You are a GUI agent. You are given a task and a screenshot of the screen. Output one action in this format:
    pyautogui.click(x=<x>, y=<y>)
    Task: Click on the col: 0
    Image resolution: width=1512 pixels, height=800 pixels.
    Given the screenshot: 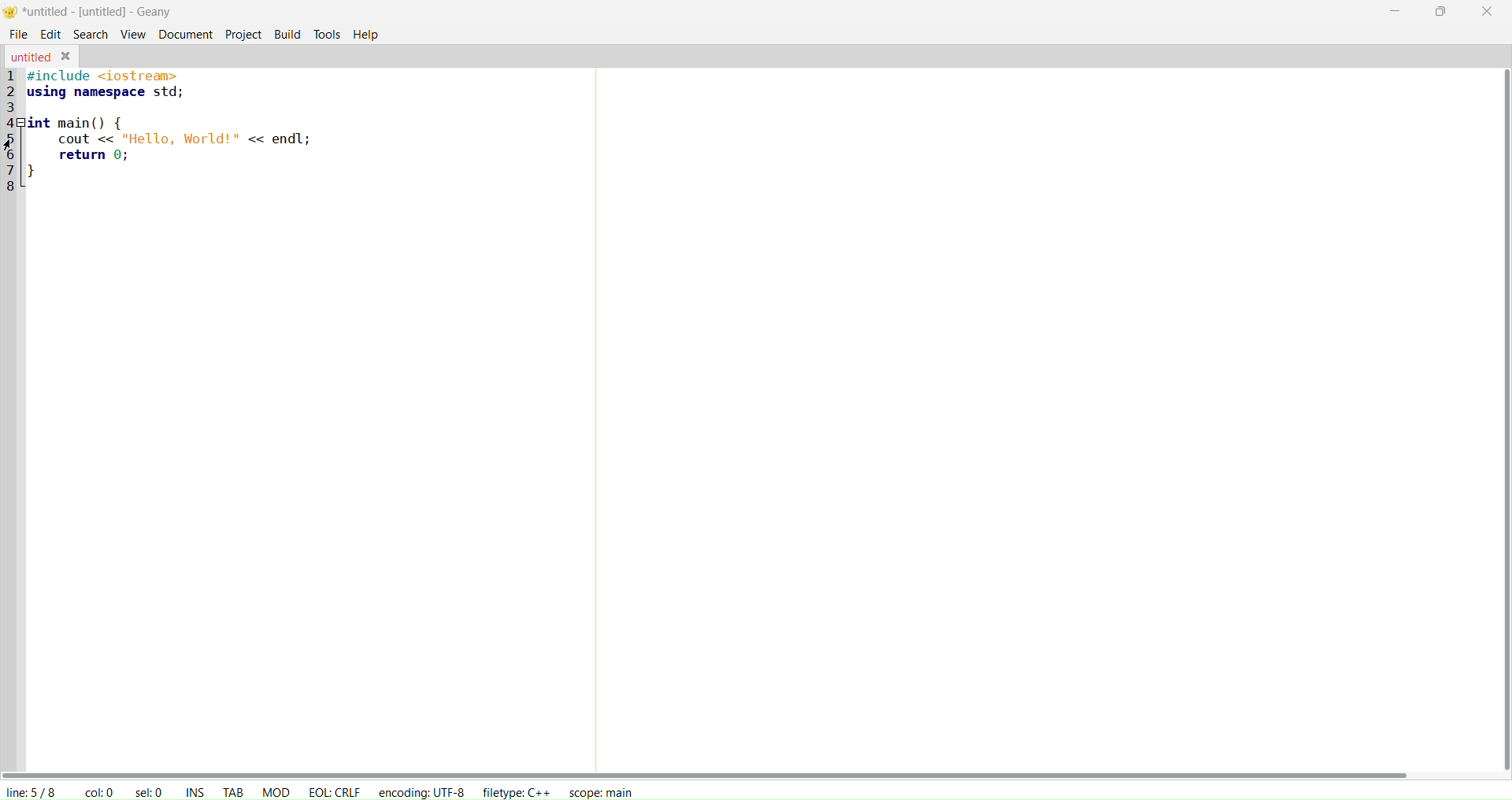 What is the action you would take?
    pyautogui.click(x=96, y=791)
    